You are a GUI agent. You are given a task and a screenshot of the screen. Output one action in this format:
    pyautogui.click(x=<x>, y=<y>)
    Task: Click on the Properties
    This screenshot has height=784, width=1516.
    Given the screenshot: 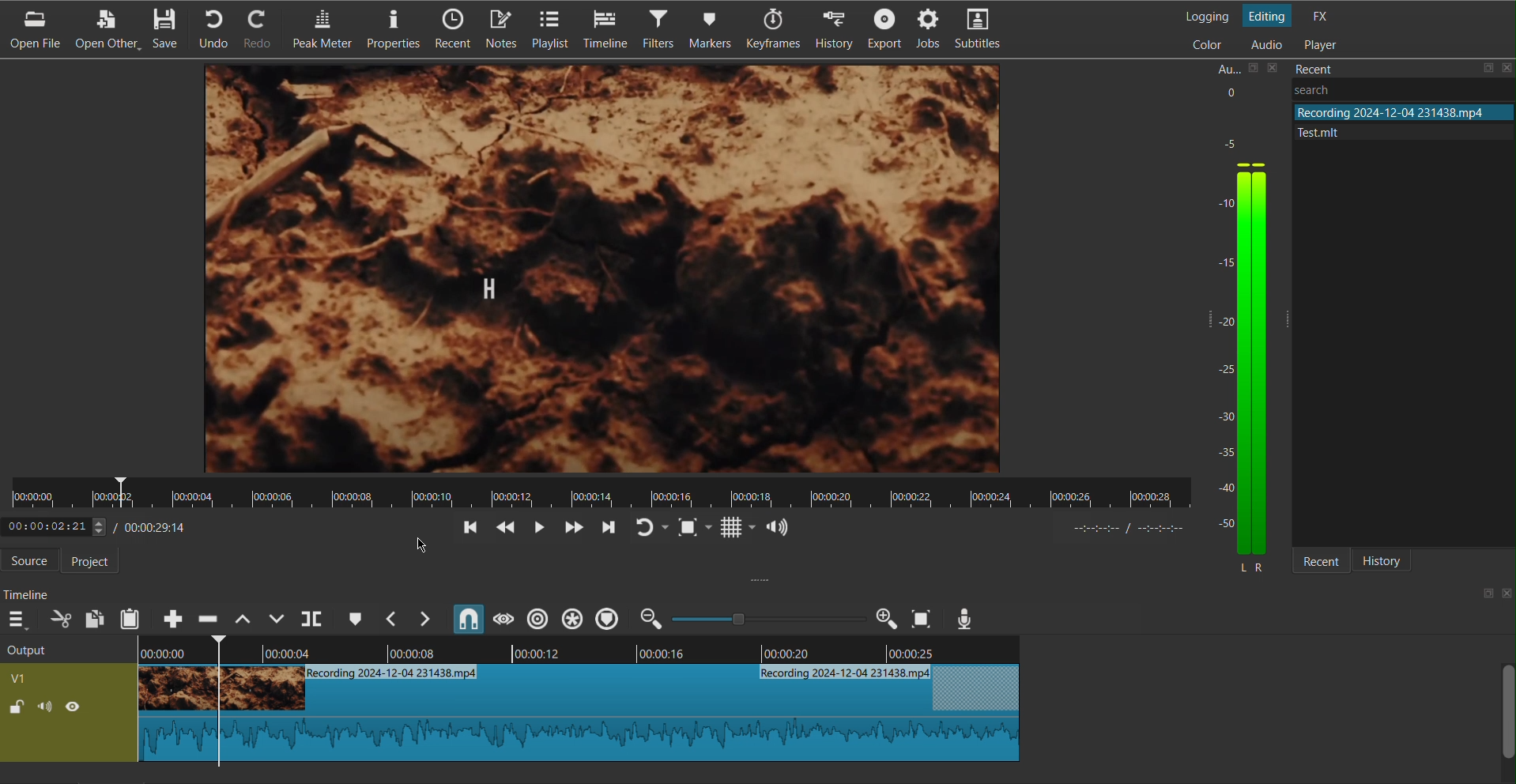 What is the action you would take?
    pyautogui.click(x=390, y=30)
    